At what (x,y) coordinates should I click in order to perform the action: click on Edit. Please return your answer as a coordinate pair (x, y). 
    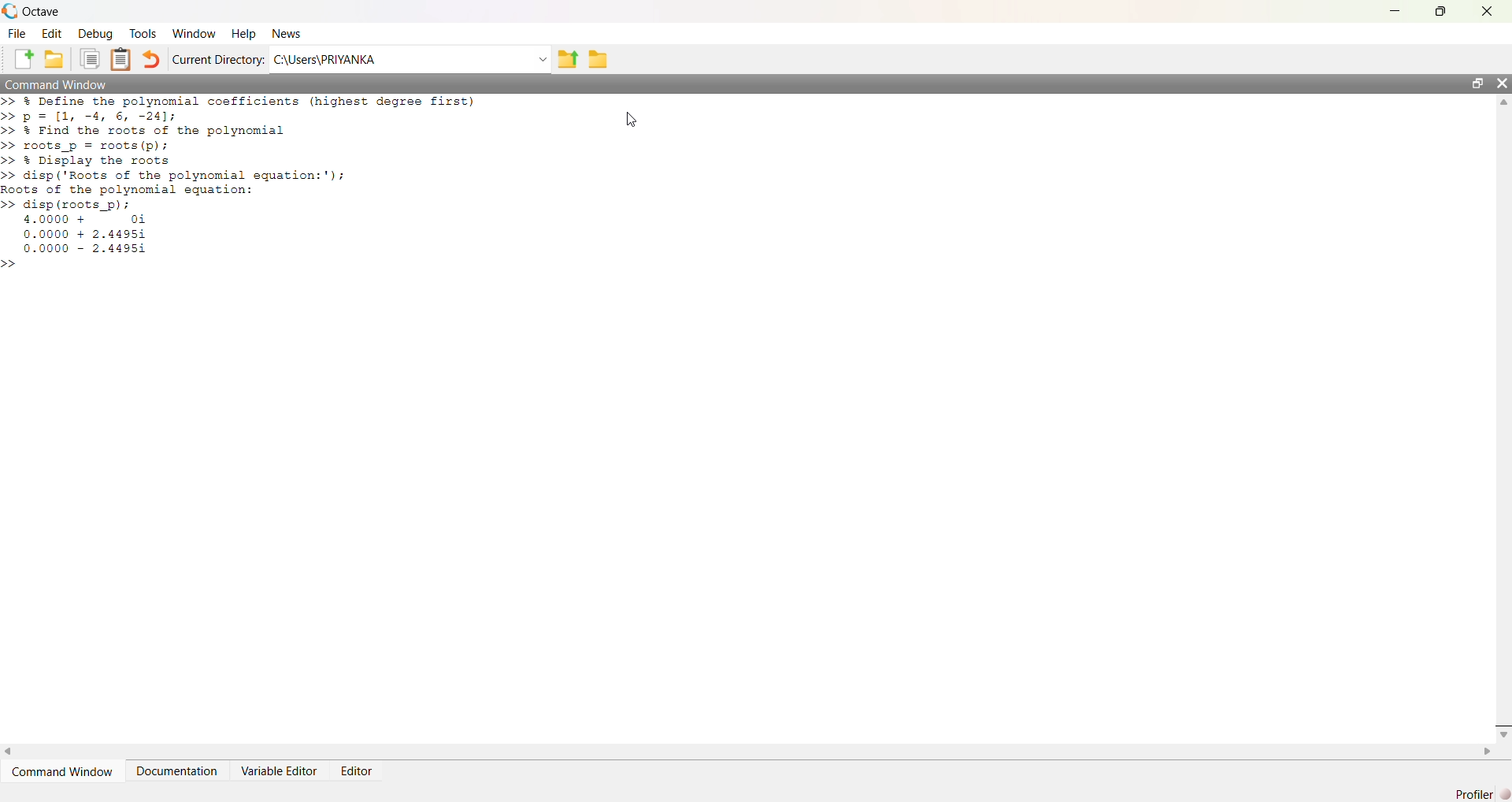
    Looking at the image, I should click on (55, 35).